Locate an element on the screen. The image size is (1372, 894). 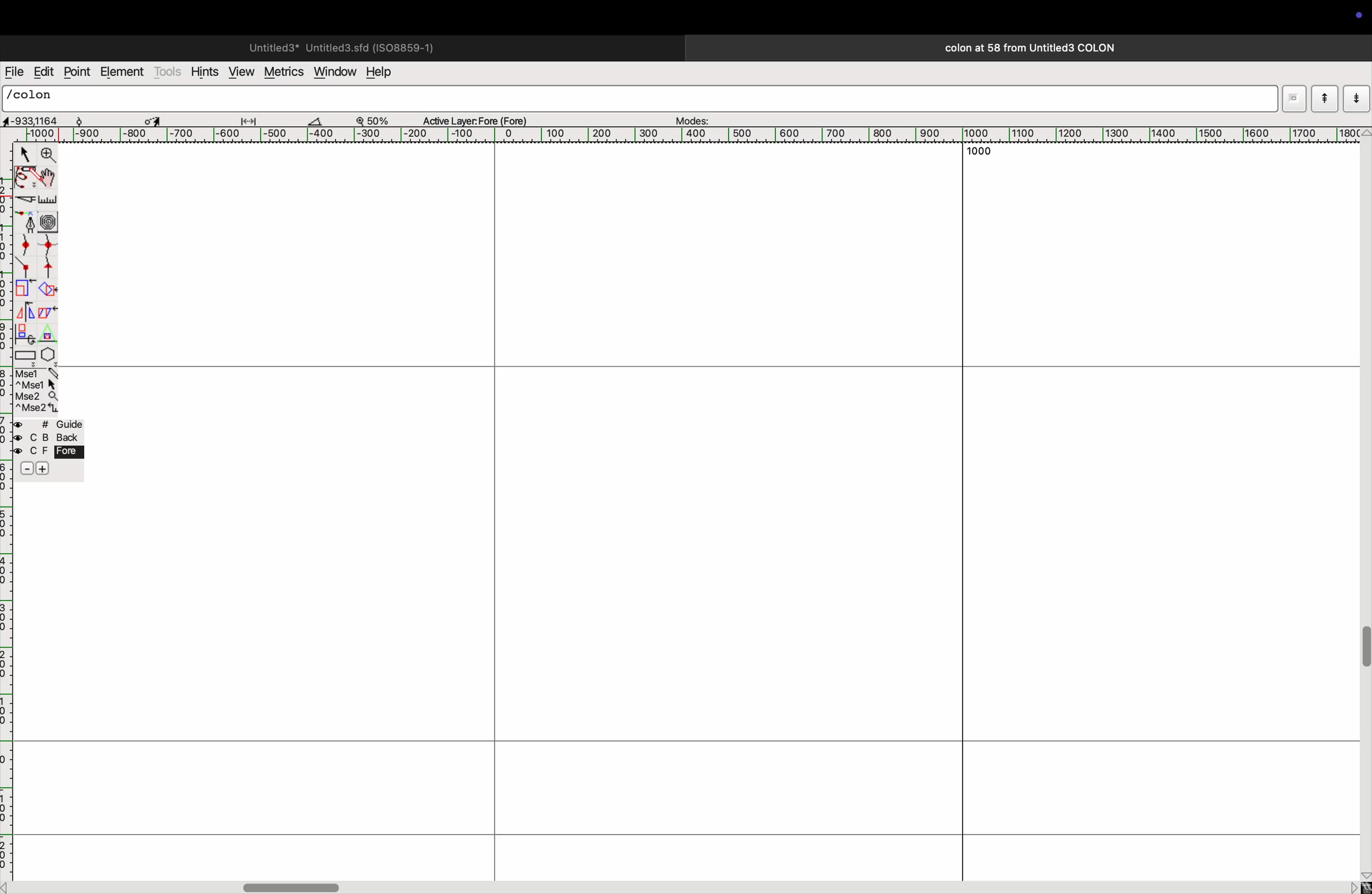
toggle is located at coordinates (153, 119).